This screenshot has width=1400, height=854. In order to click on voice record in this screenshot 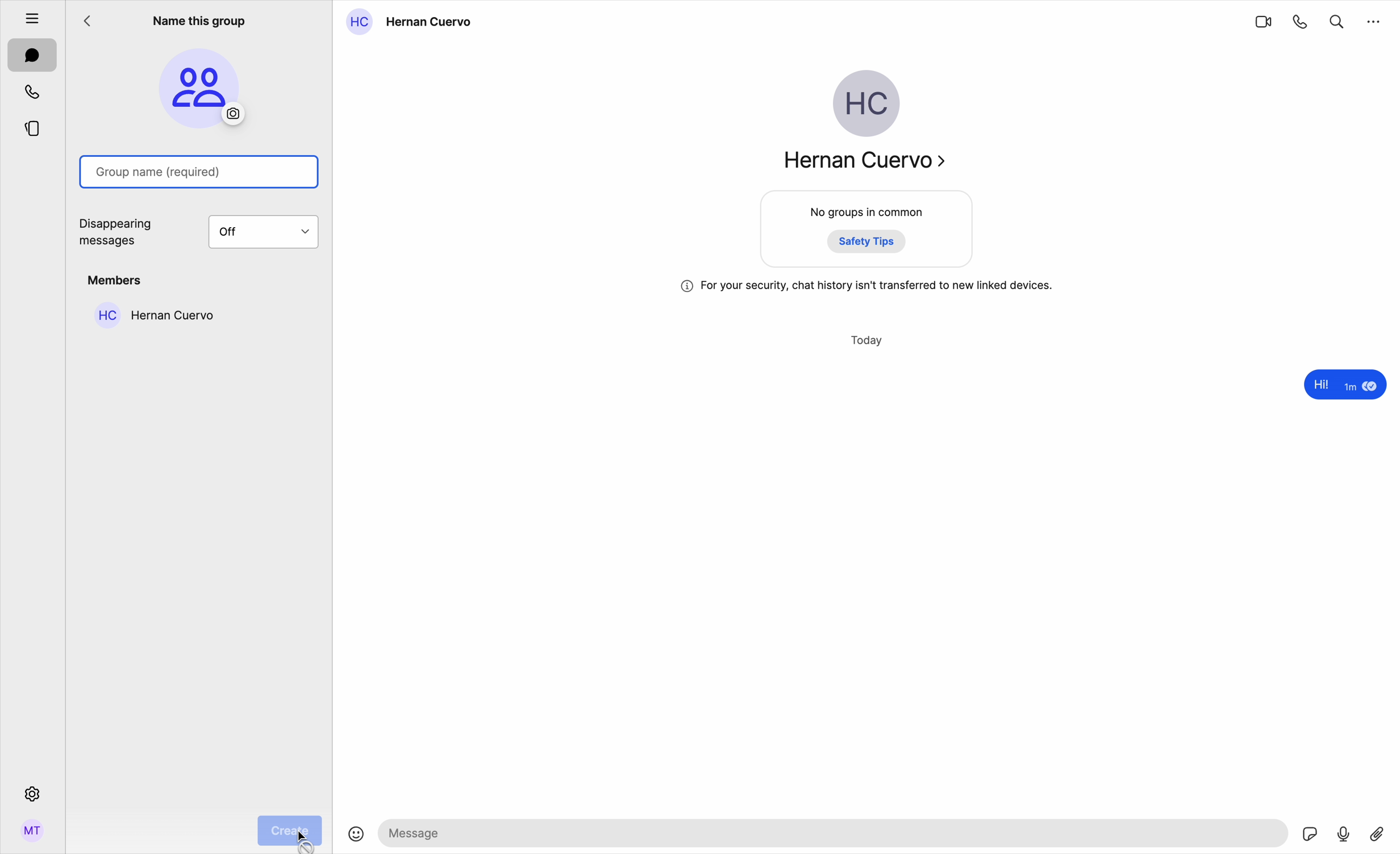, I will do `click(1344, 832)`.